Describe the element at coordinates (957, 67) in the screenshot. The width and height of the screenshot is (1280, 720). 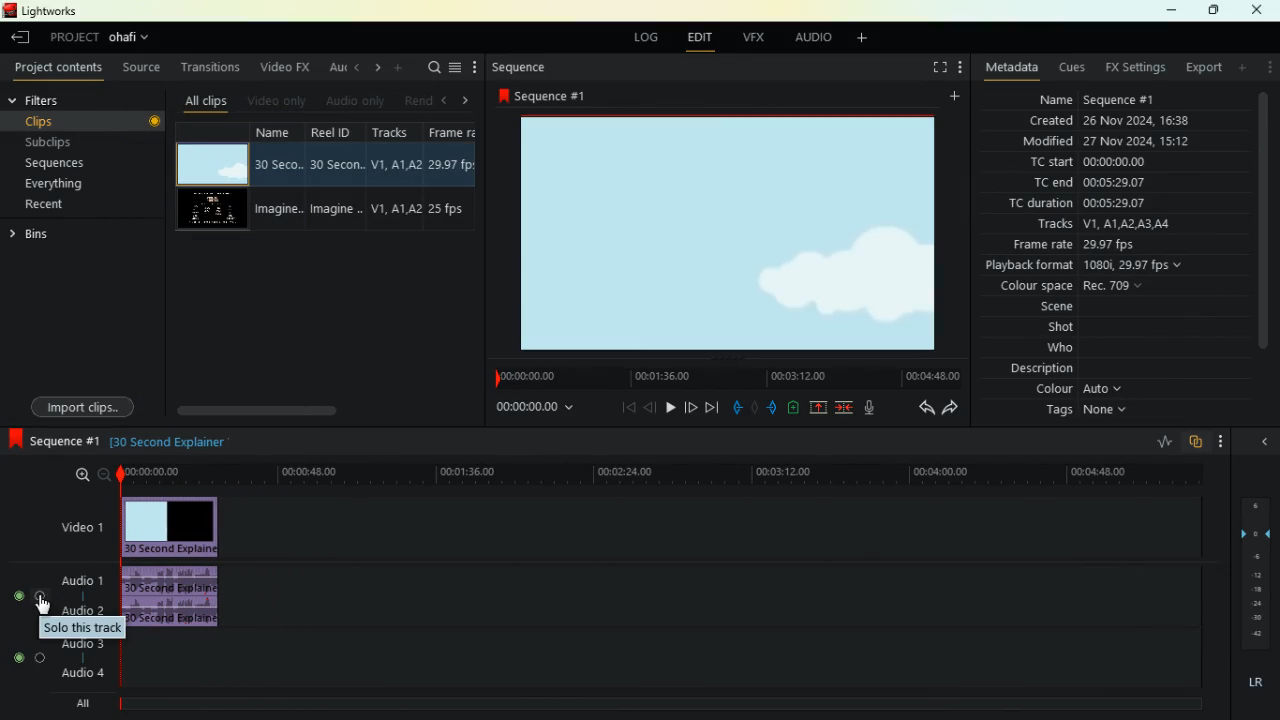
I see `more` at that location.